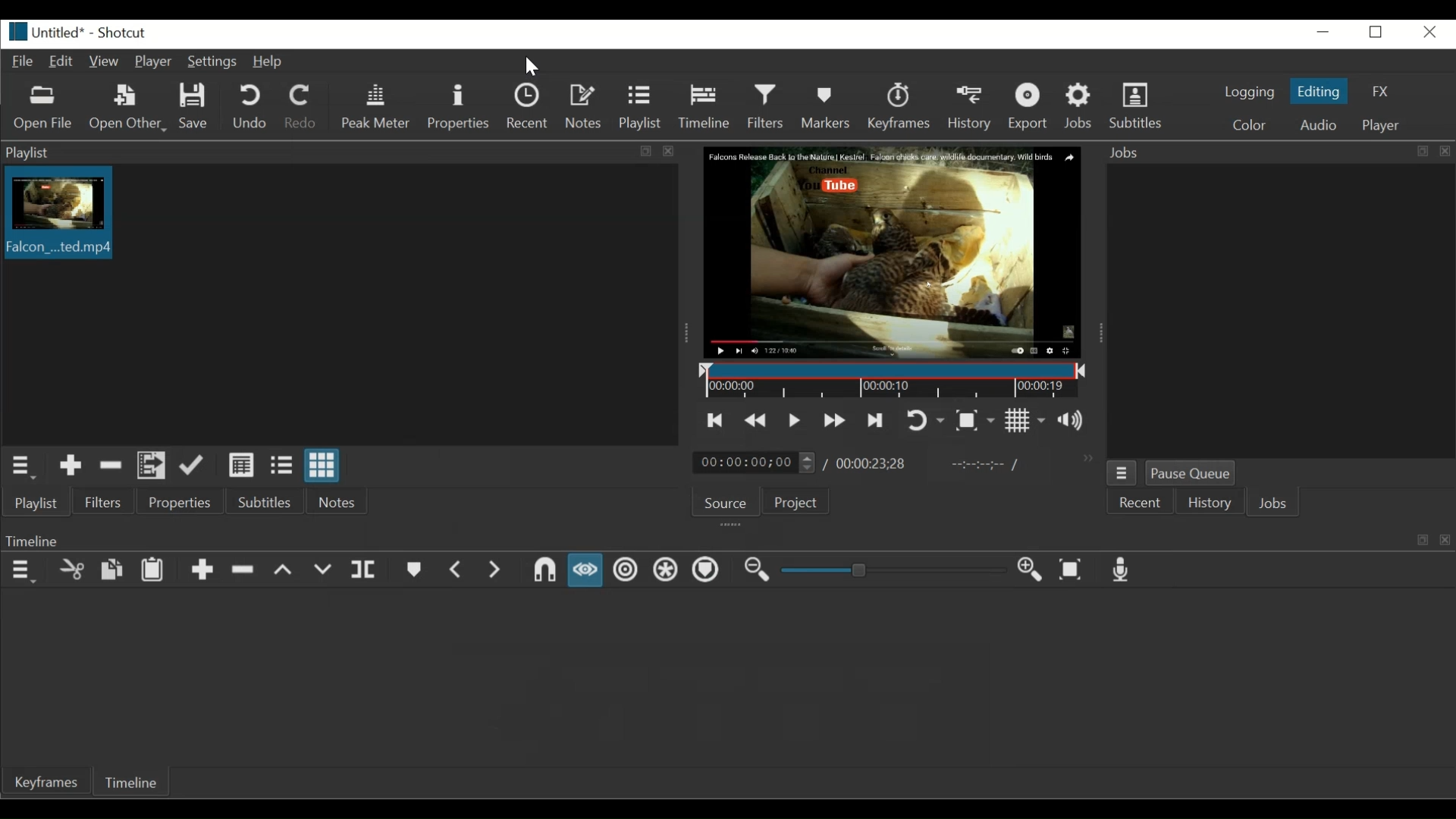 This screenshot has height=819, width=1456. I want to click on Lift, so click(284, 568).